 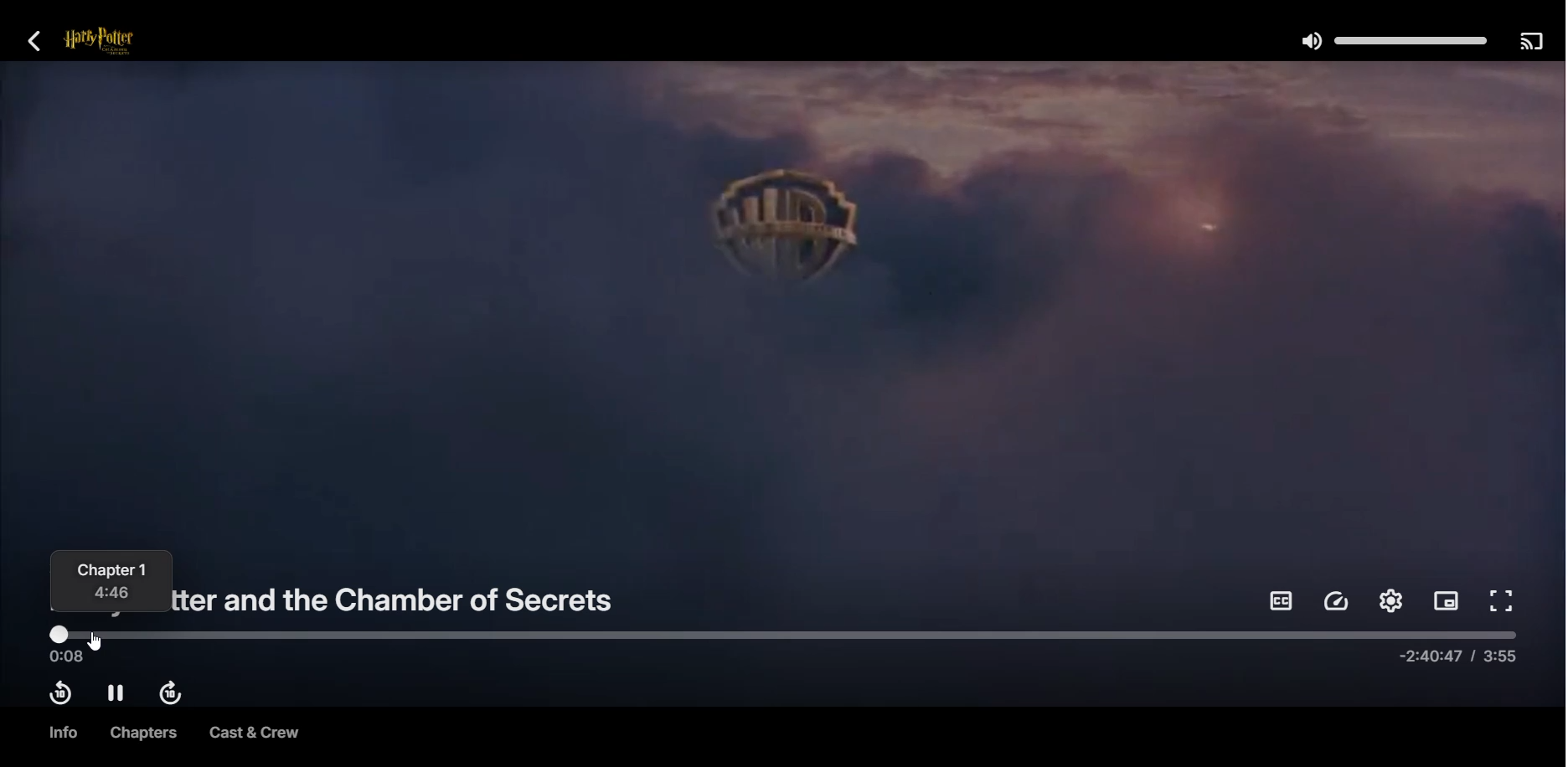 What do you see at coordinates (1391, 39) in the screenshot?
I see `Set Volume` at bounding box center [1391, 39].